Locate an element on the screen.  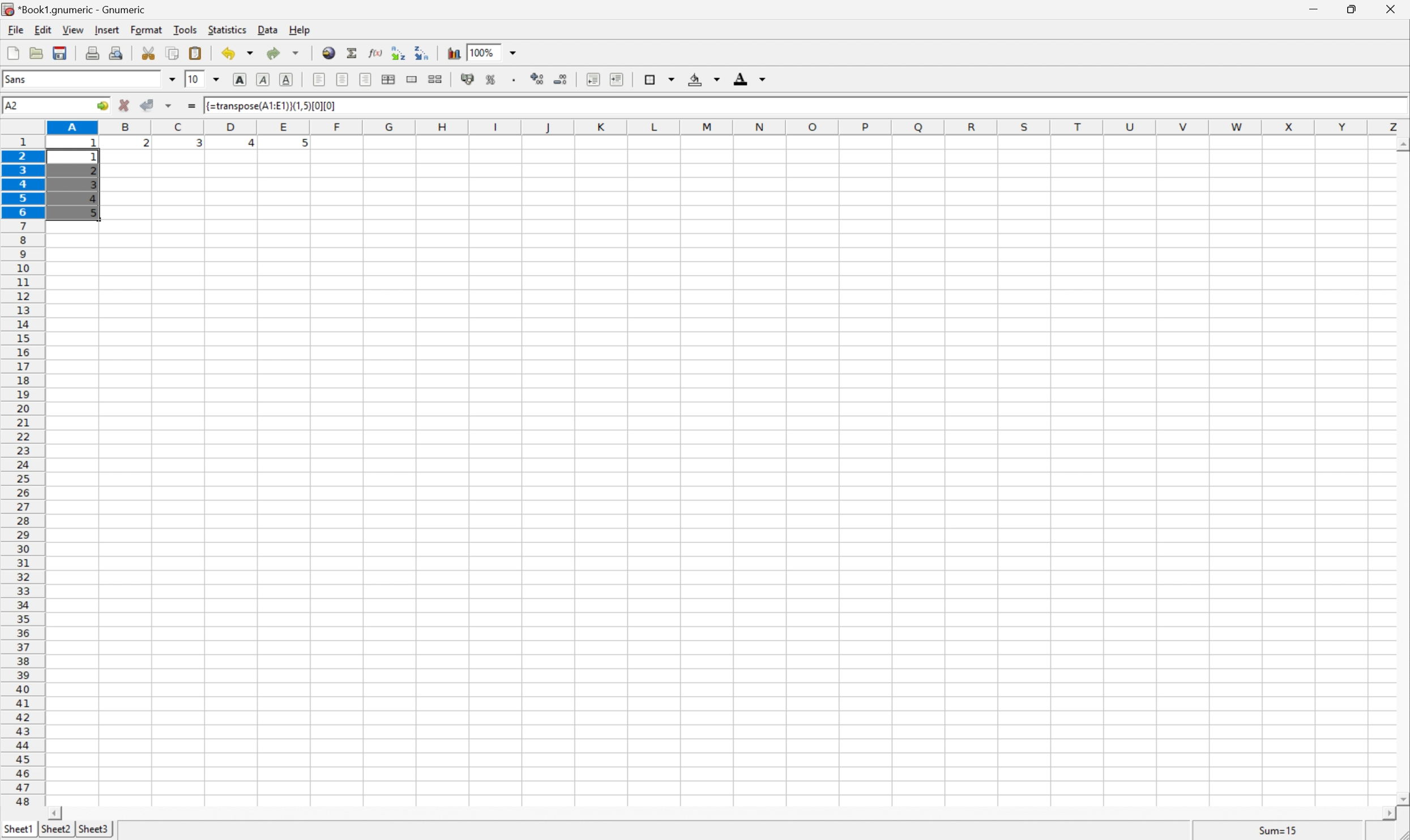
sheet1 is located at coordinates (17, 832).